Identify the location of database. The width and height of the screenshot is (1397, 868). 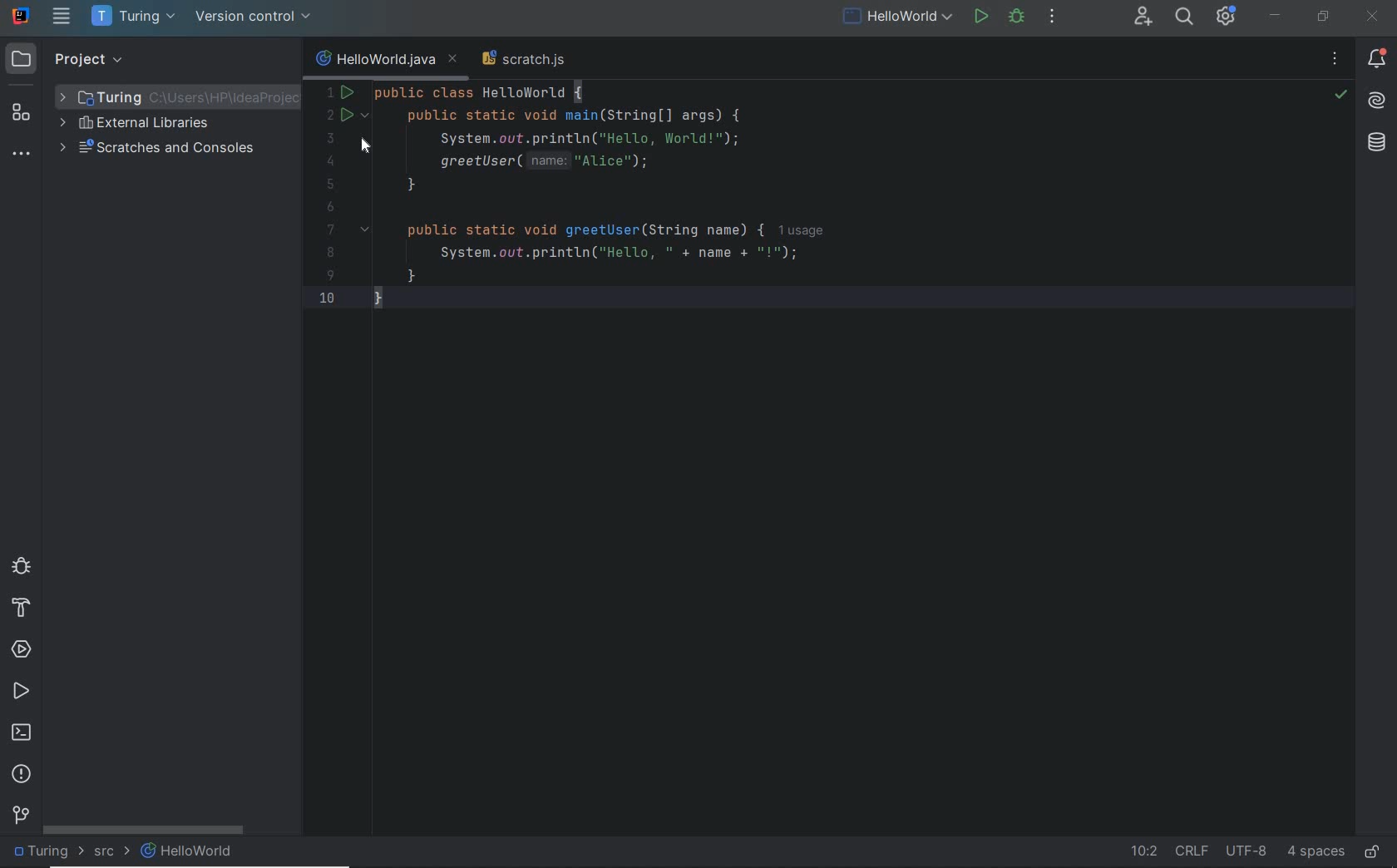
(1375, 141).